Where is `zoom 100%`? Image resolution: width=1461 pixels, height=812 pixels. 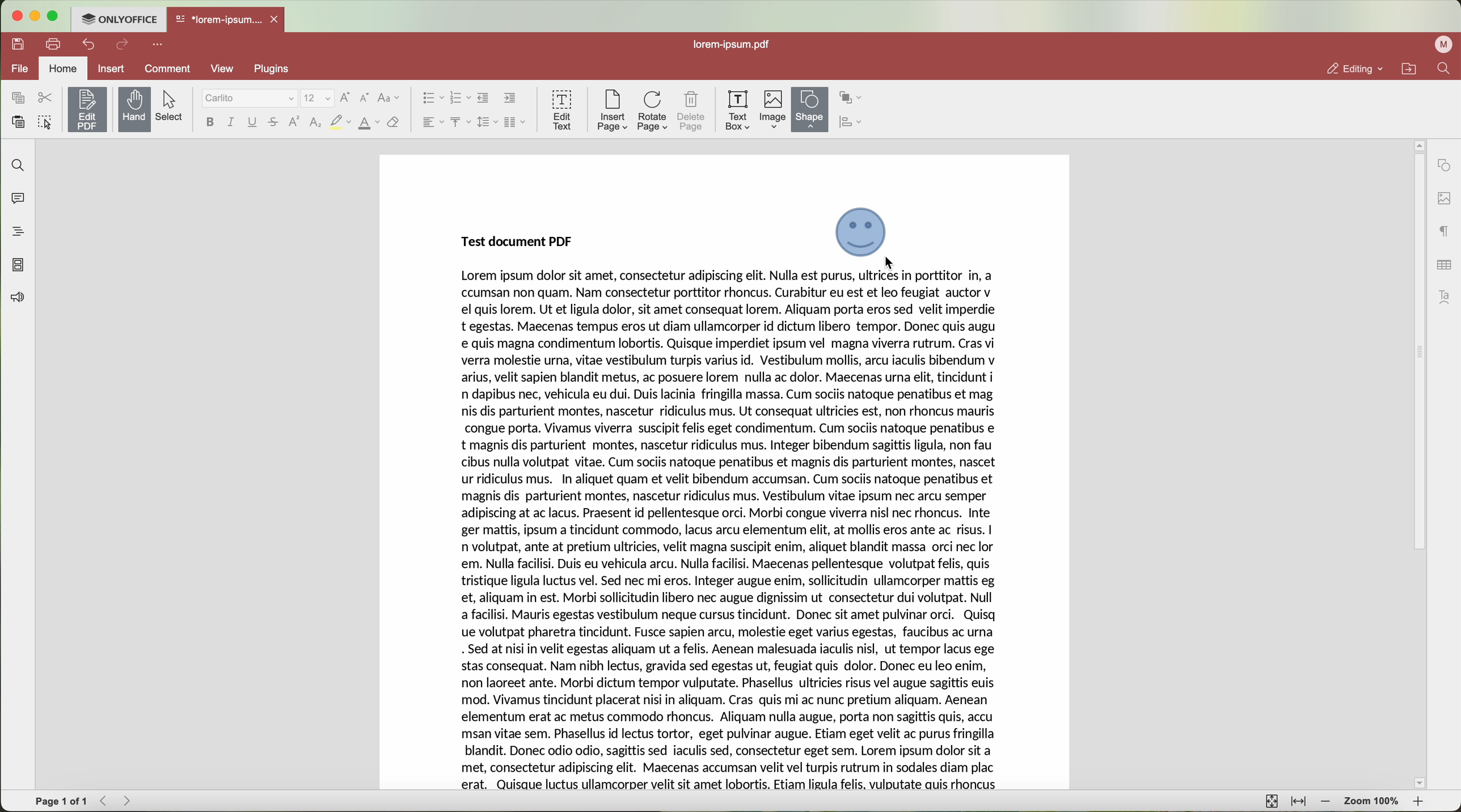 zoom 100% is located at coordinates (1371, 802).